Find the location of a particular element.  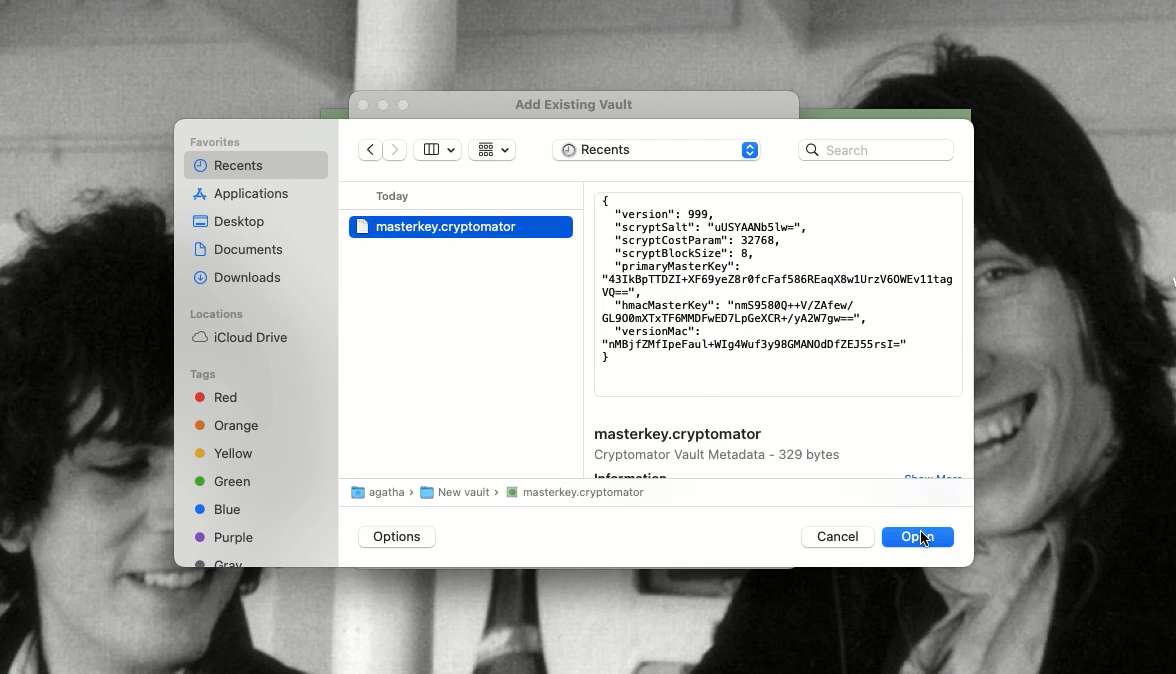

Blue is located at coordinates (218, 509).